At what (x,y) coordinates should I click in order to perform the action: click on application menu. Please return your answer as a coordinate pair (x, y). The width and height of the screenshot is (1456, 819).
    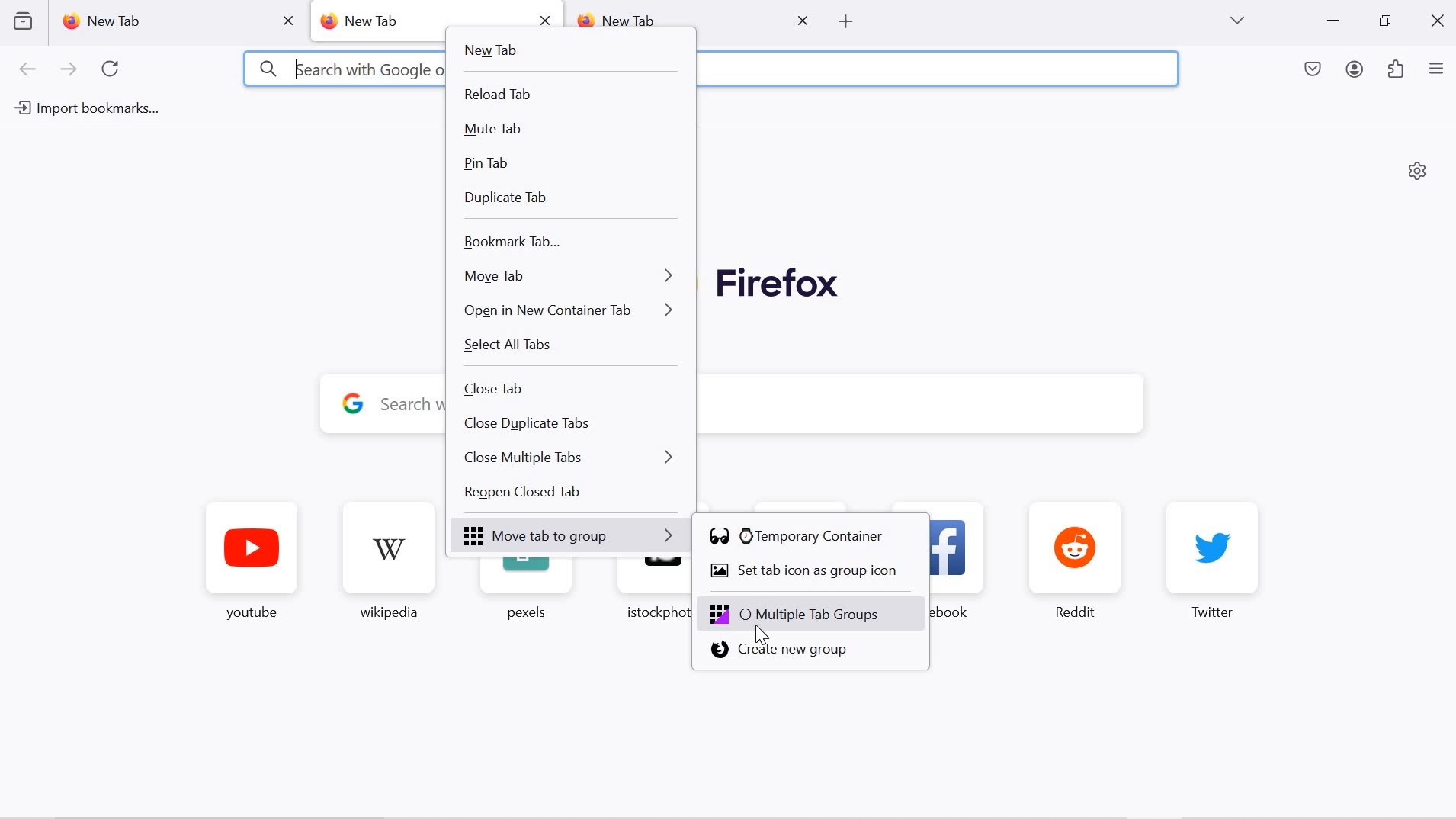
    Looking at the image, I should click on (1436, 70).